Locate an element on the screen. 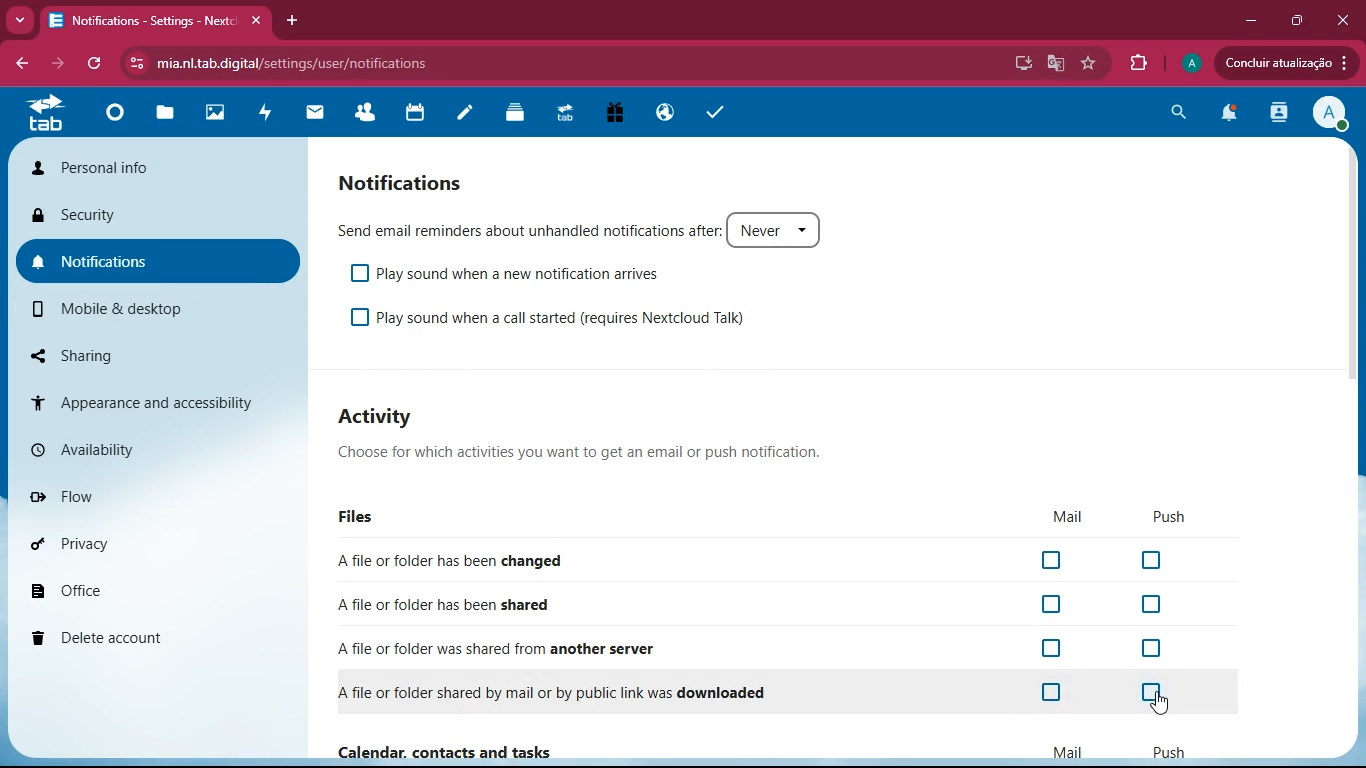 The height and width of the screenshot is (768, 1366). Notifications - Settings - Nextc is located at coordinates (159, 22).